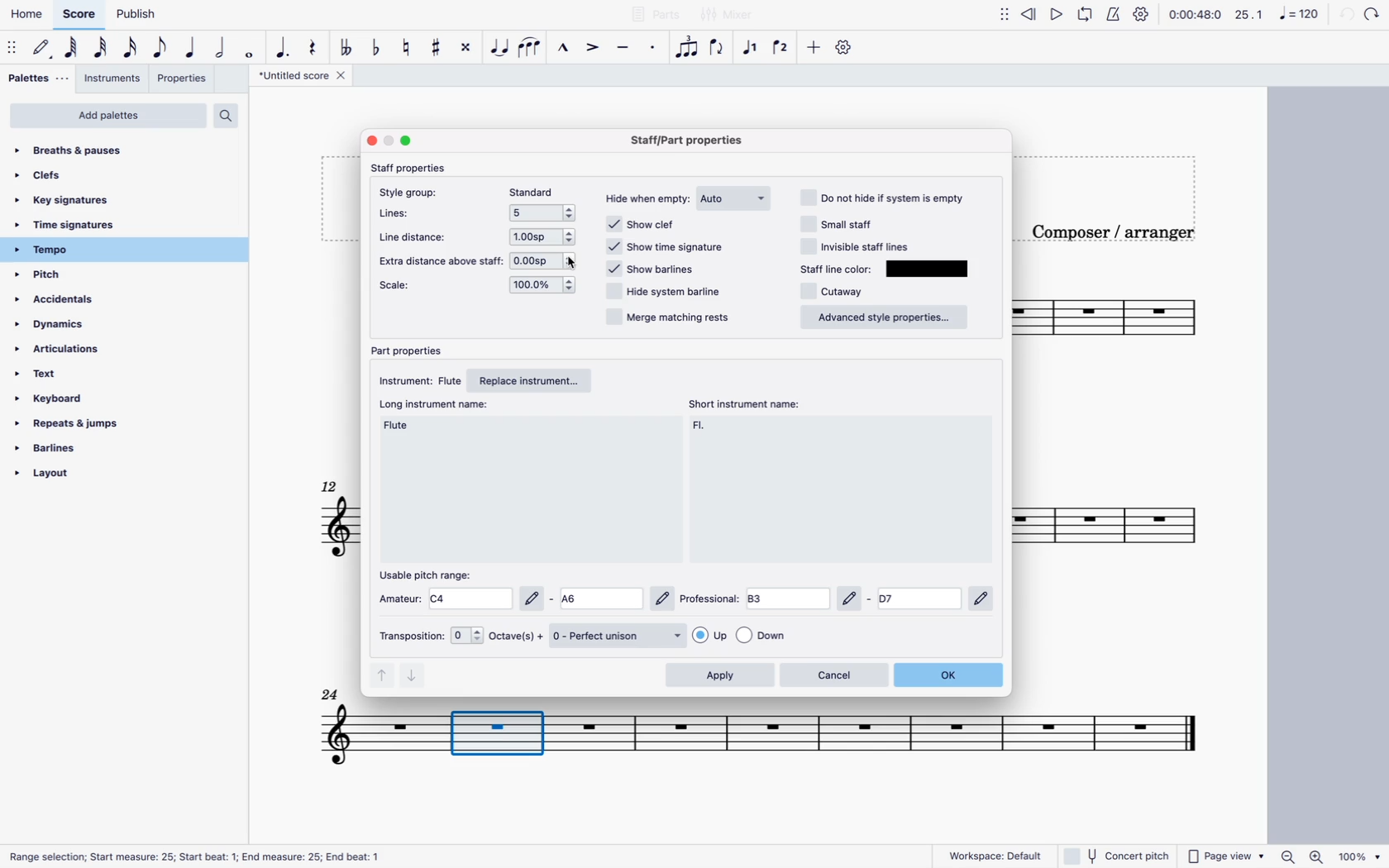 The width and height of the screenshot is (1389, 868). What do you see at coordinates (670, 246) in the screenshot?
I see `show time signature` at bounding box center [670, 246].